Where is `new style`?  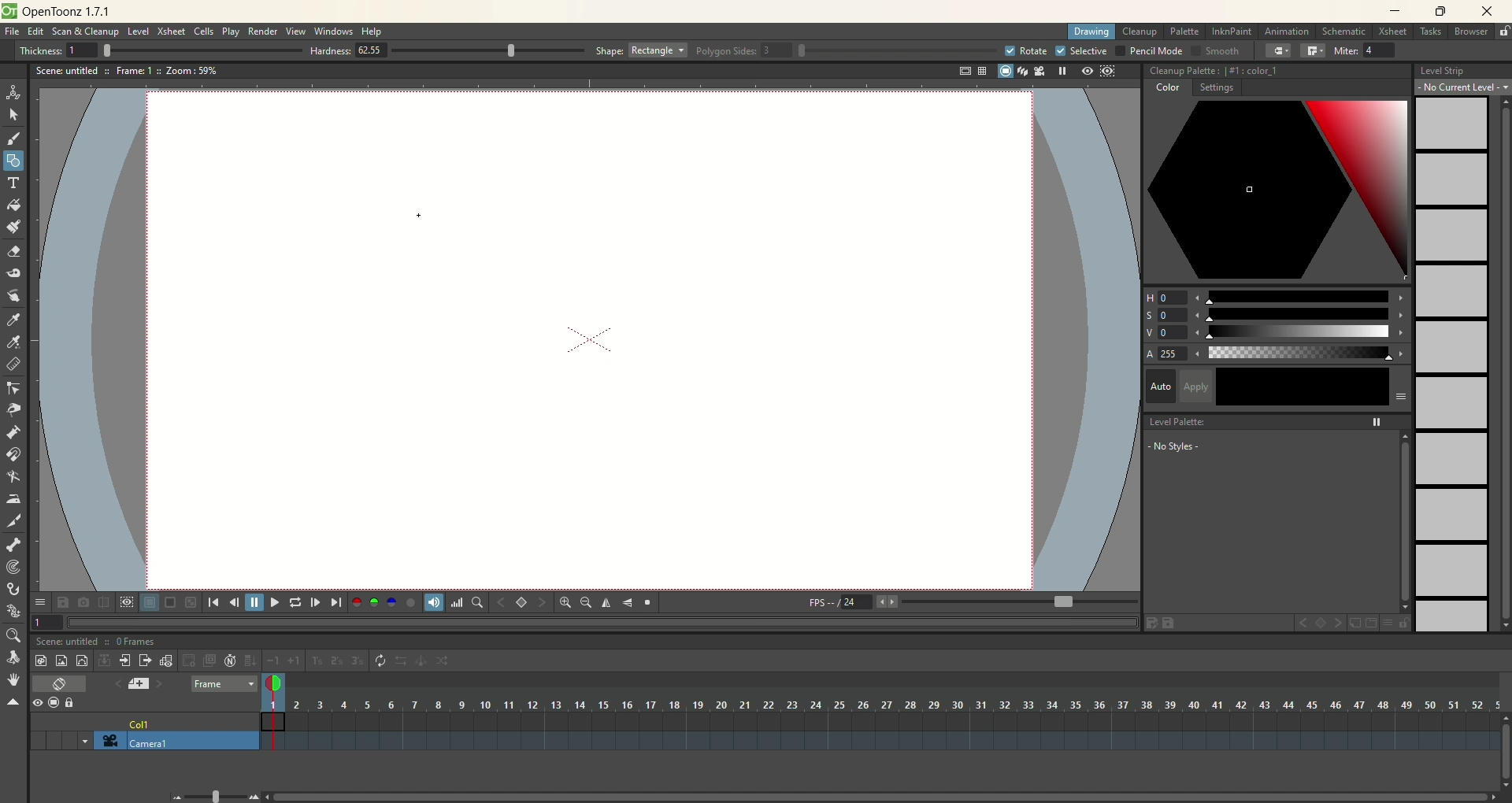 new style is located at coordinates (1354, 624).